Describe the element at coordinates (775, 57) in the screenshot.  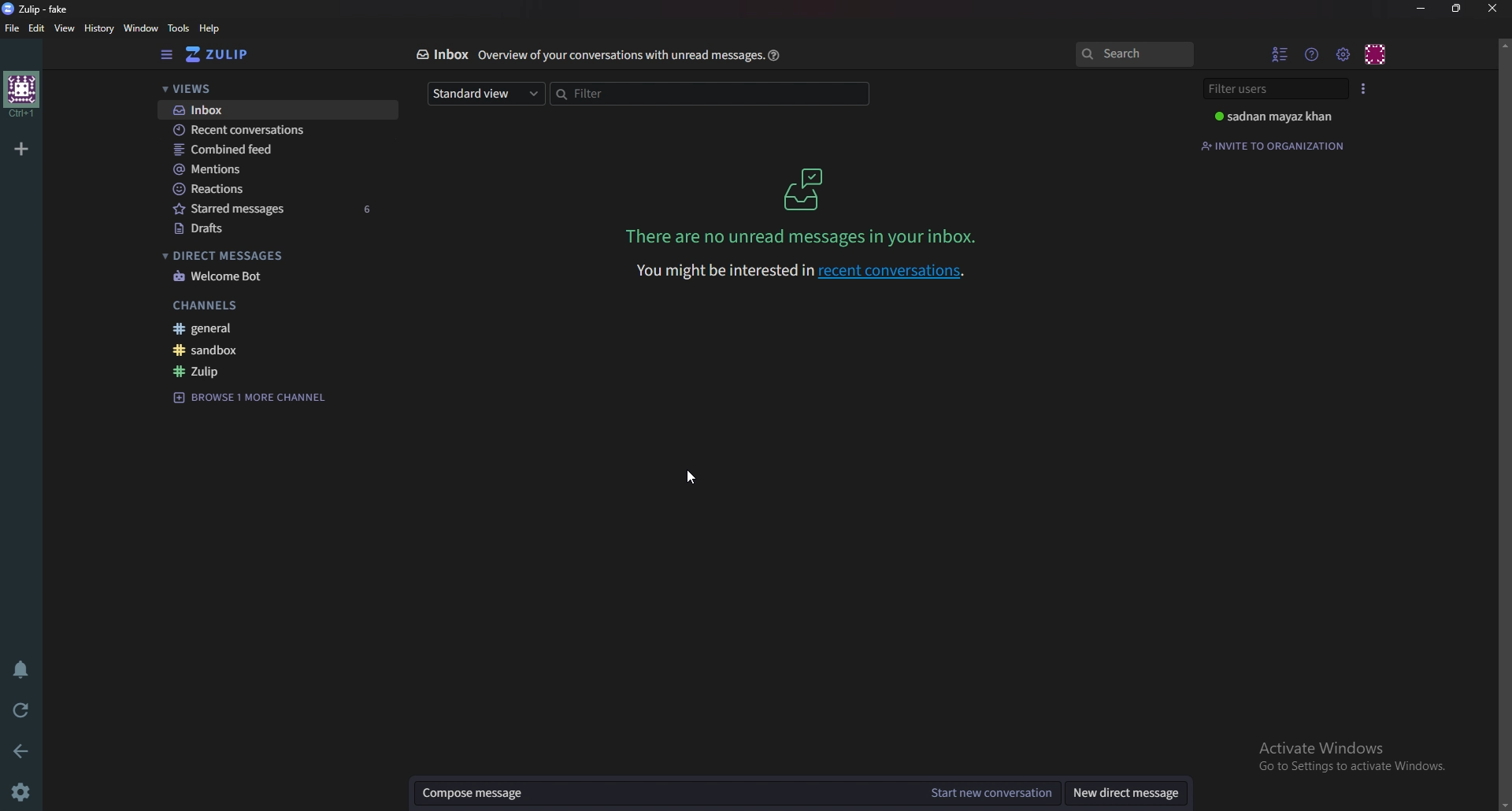
I see `help` at that location.